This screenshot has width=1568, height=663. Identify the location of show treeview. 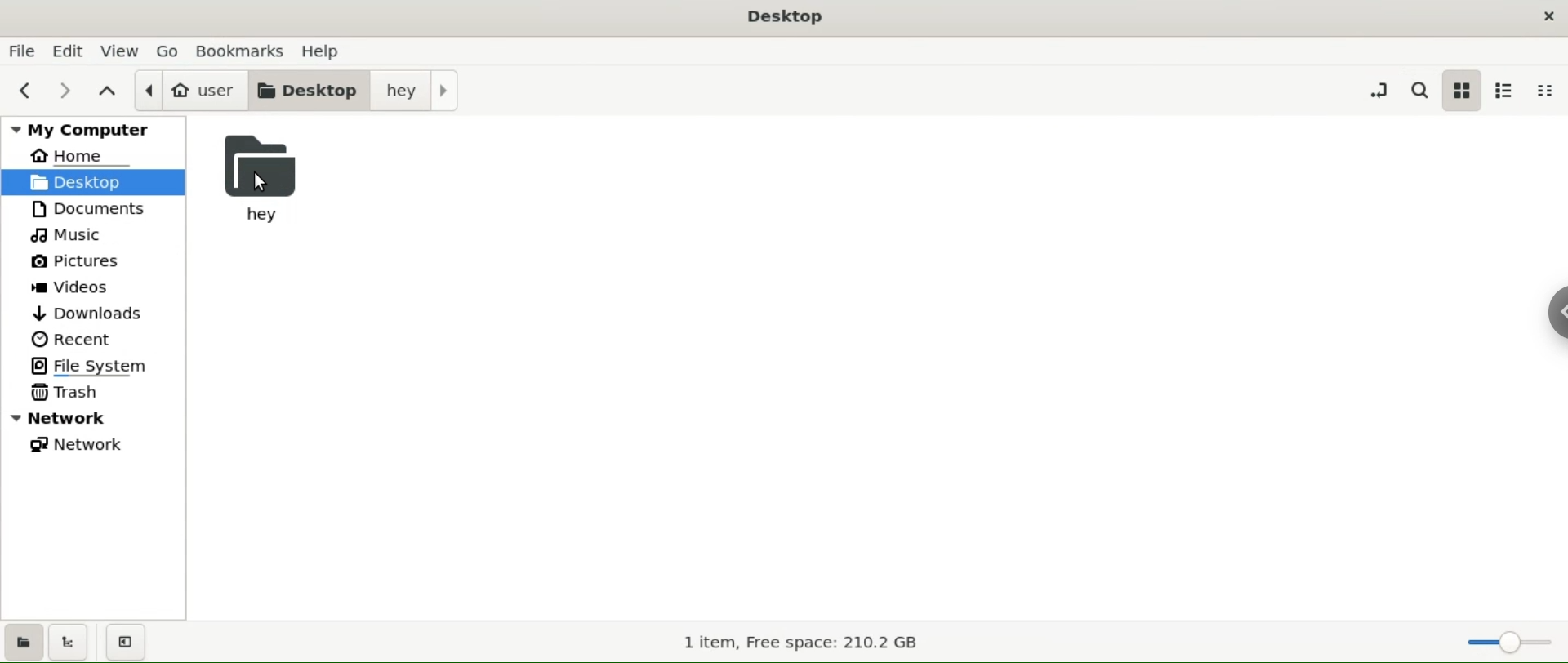
(73, 645).